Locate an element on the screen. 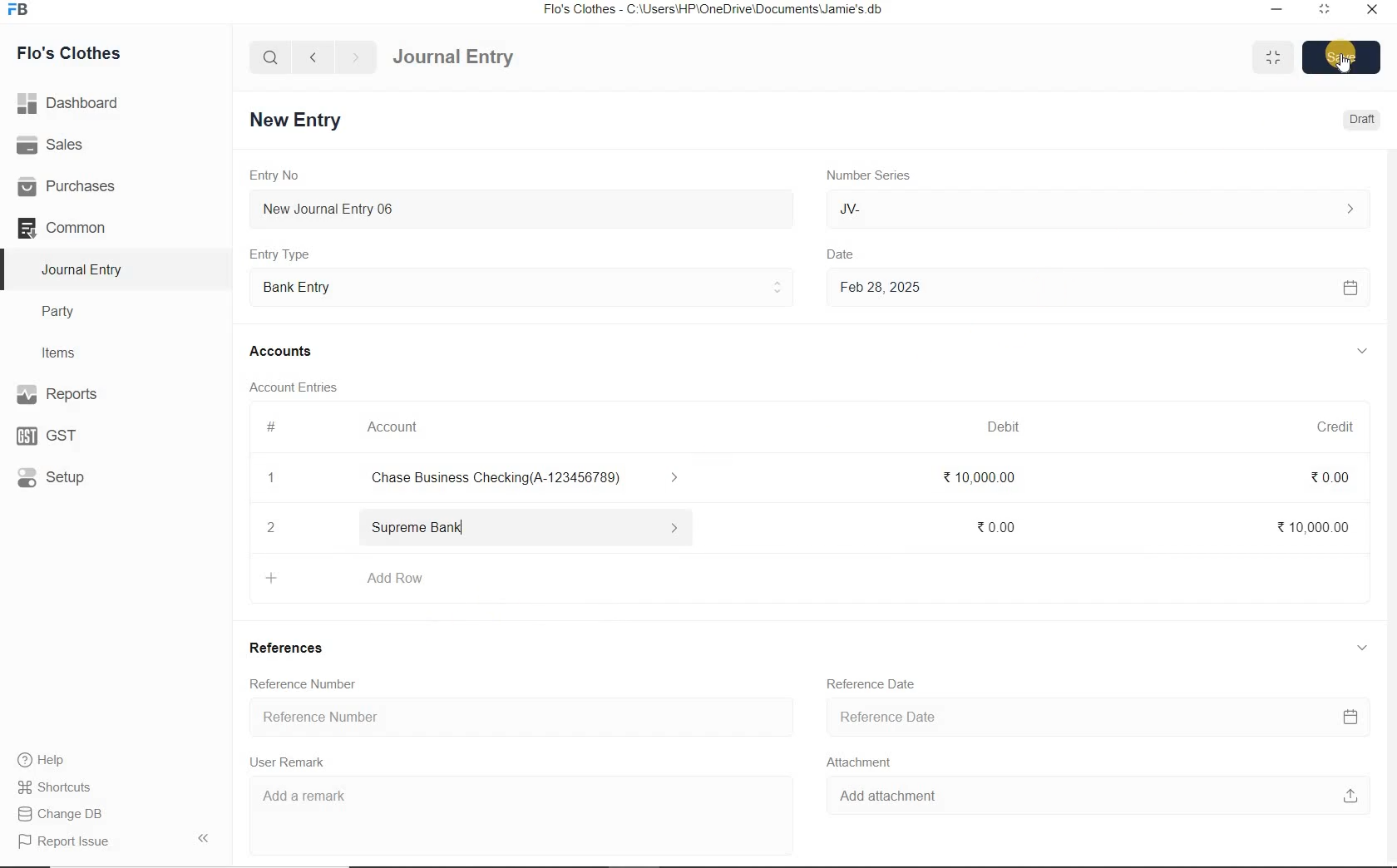 This screenshot has width=1397, height=868. New Entry is located at coordinates (299, 119).